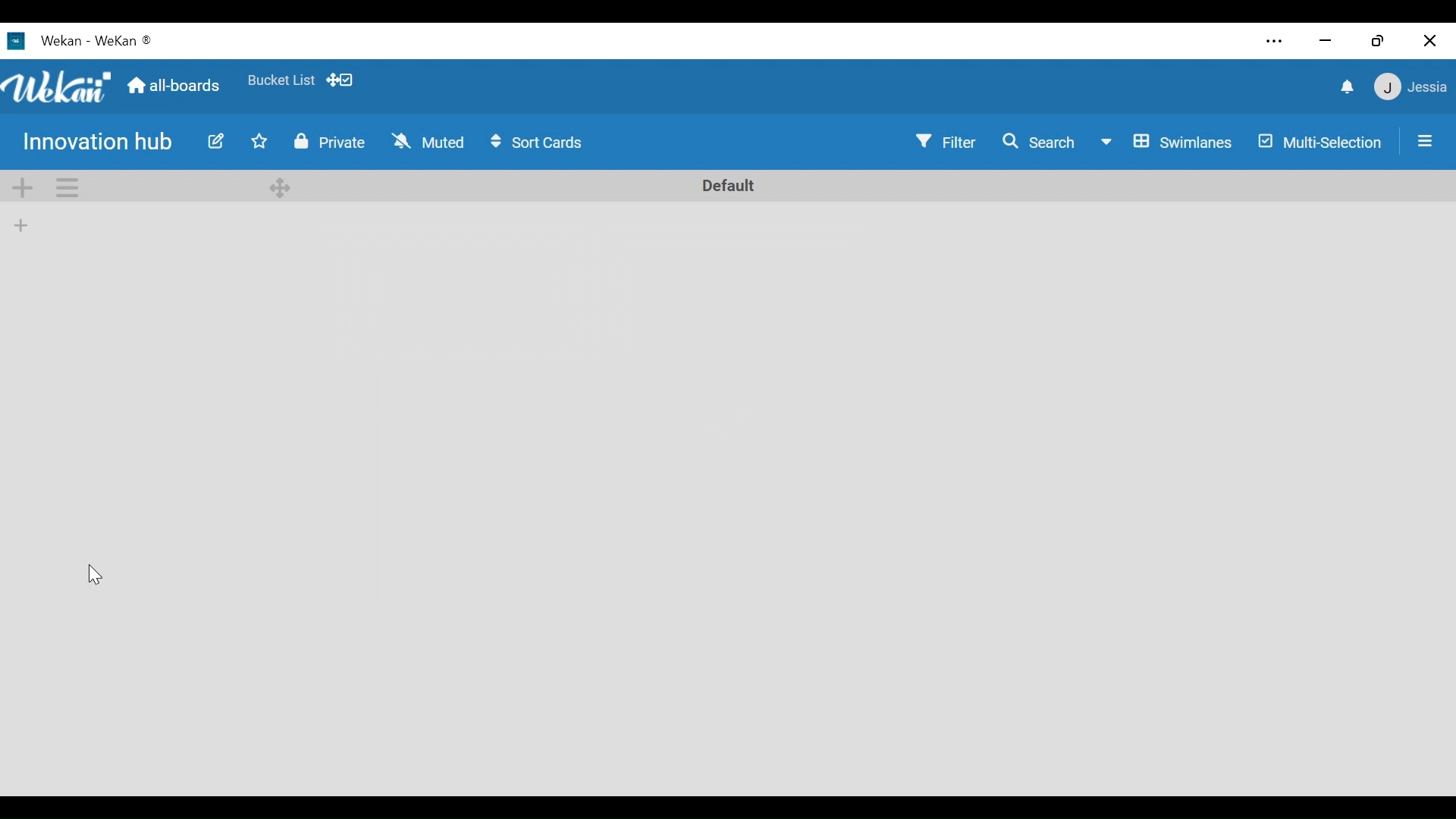 This screenshot has height=819, width=1456. Describe the element at coordinates (20, 187) in the screenshot. I see `Add Swimlane` at that location.